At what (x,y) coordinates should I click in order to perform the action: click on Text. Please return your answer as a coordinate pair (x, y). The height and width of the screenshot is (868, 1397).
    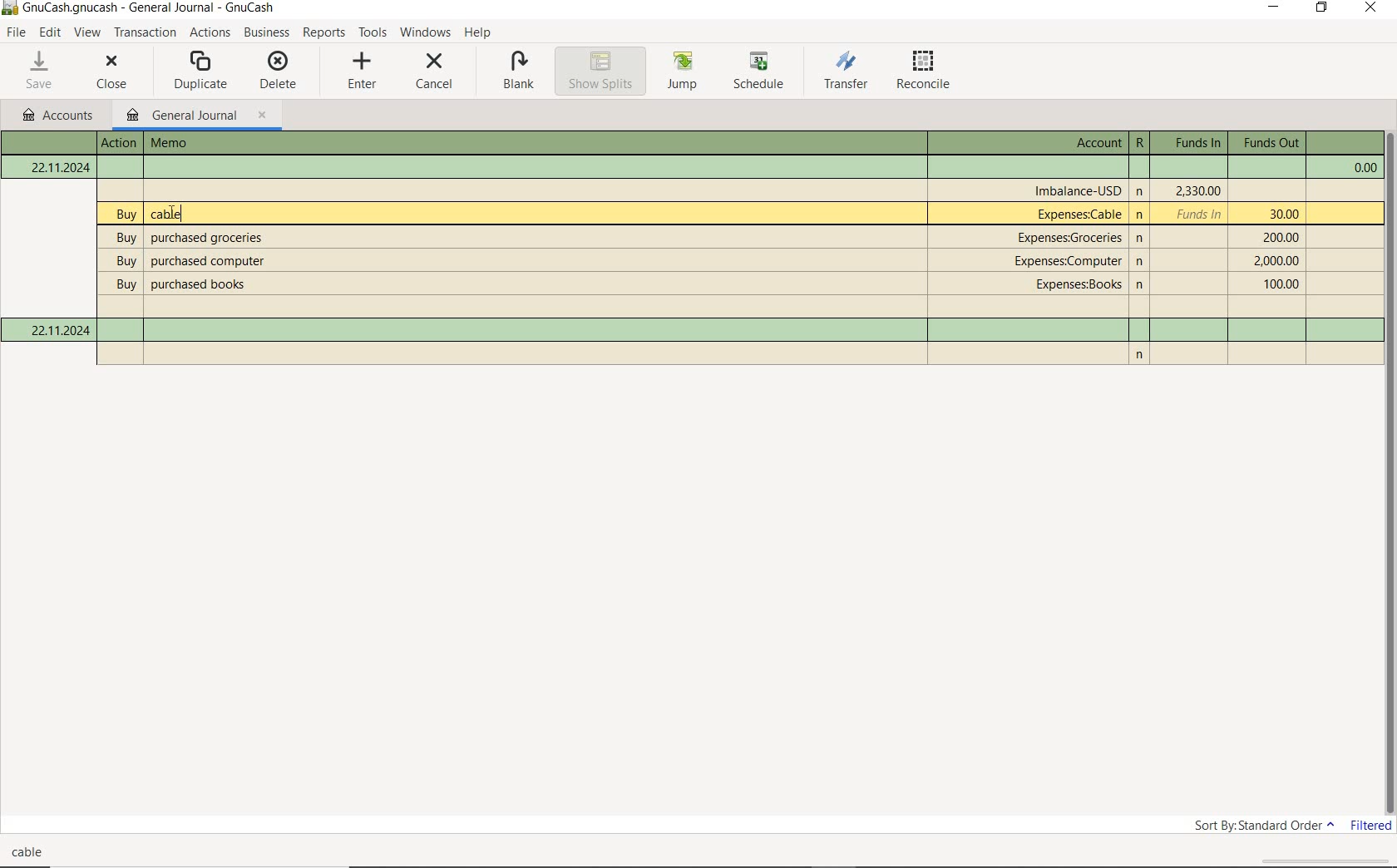
    Looking at the image, I should click on (243, 143).